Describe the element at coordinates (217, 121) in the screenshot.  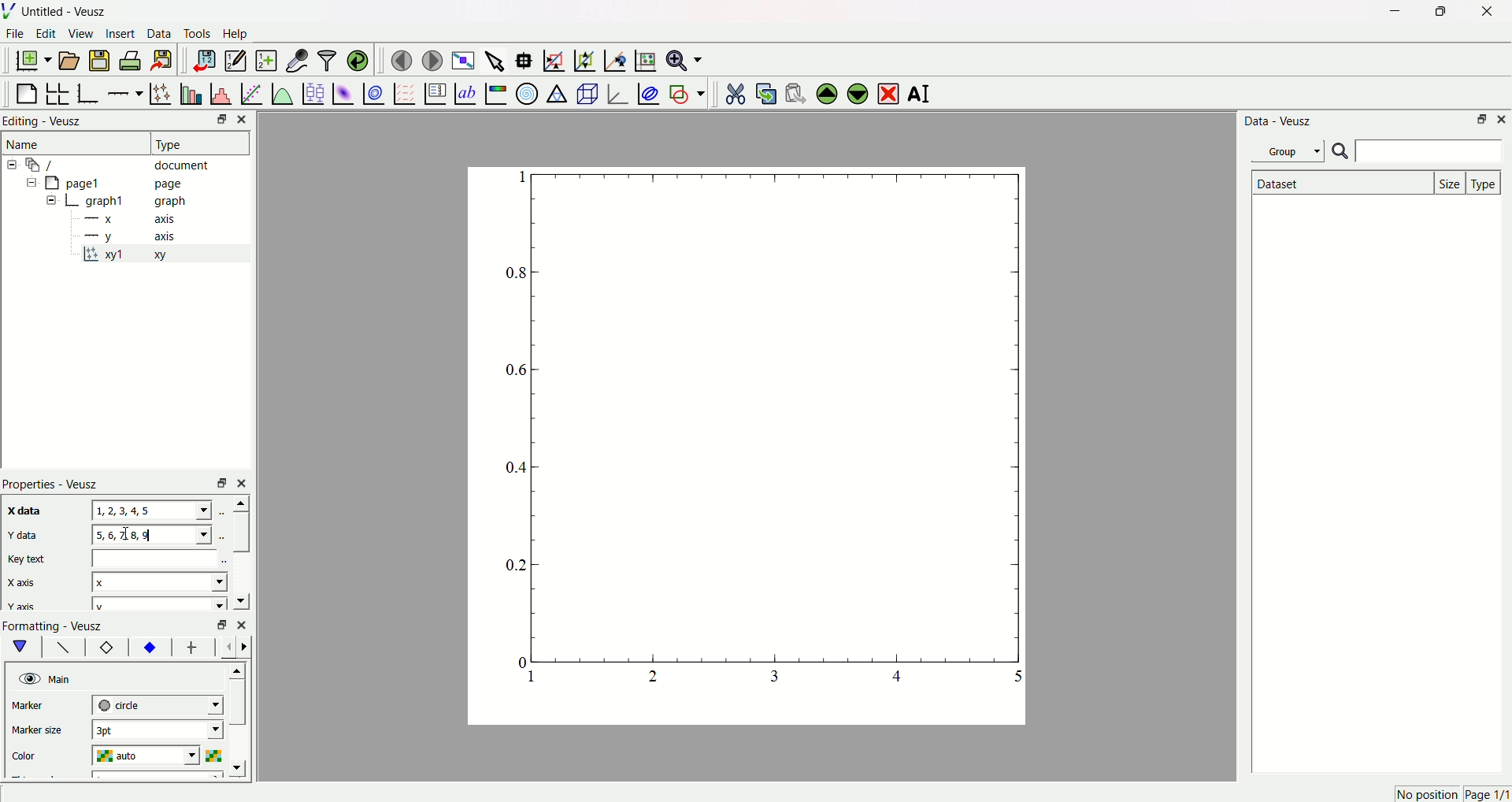
I see `Minimize` at that location.